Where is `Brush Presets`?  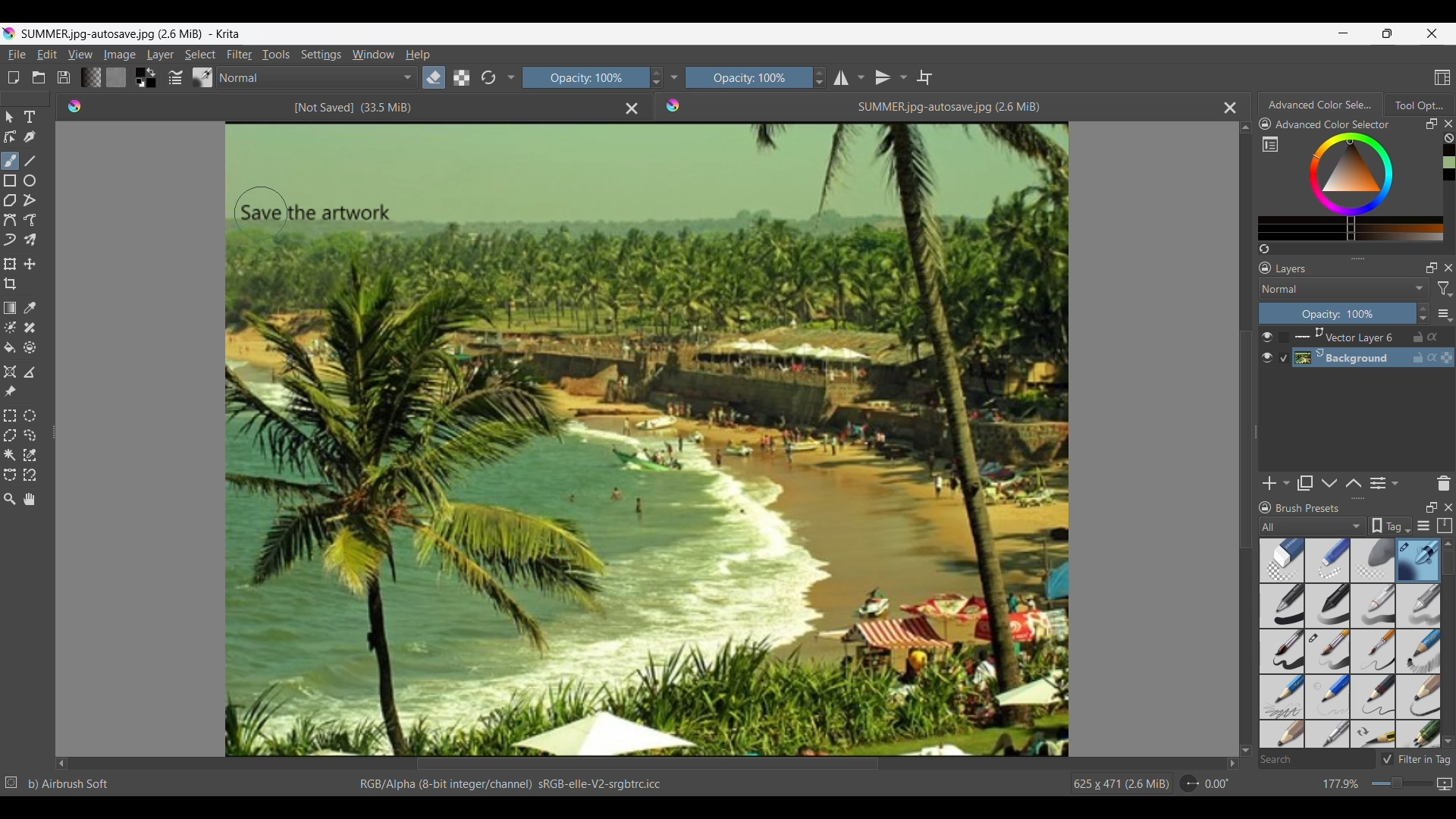 Brush Presets is located at coordinates (1310, 509).